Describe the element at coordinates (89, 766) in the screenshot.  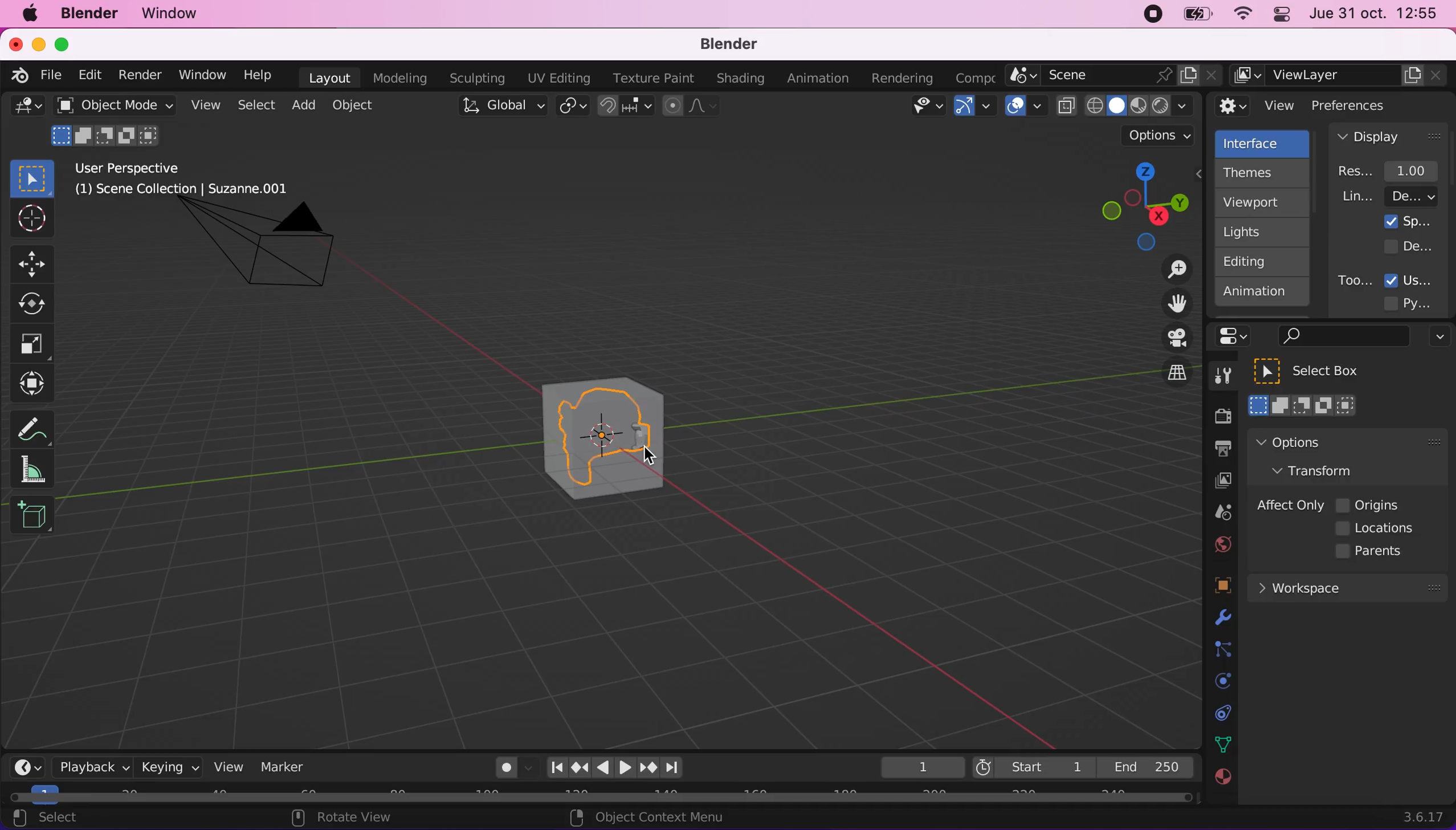
I see `playback` at that location.